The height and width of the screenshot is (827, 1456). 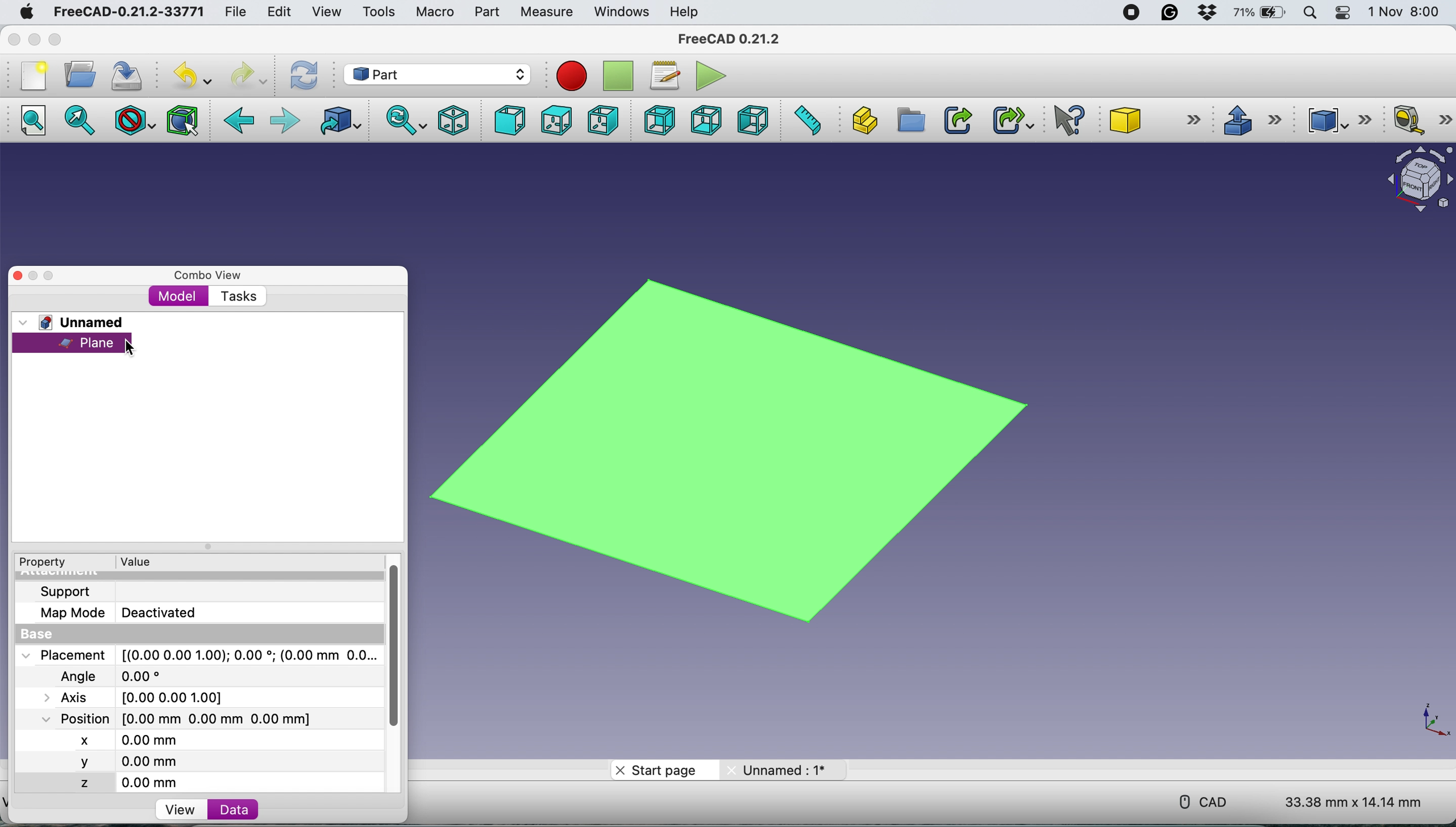 I want to click on cursor, so click(x=132, y=346).